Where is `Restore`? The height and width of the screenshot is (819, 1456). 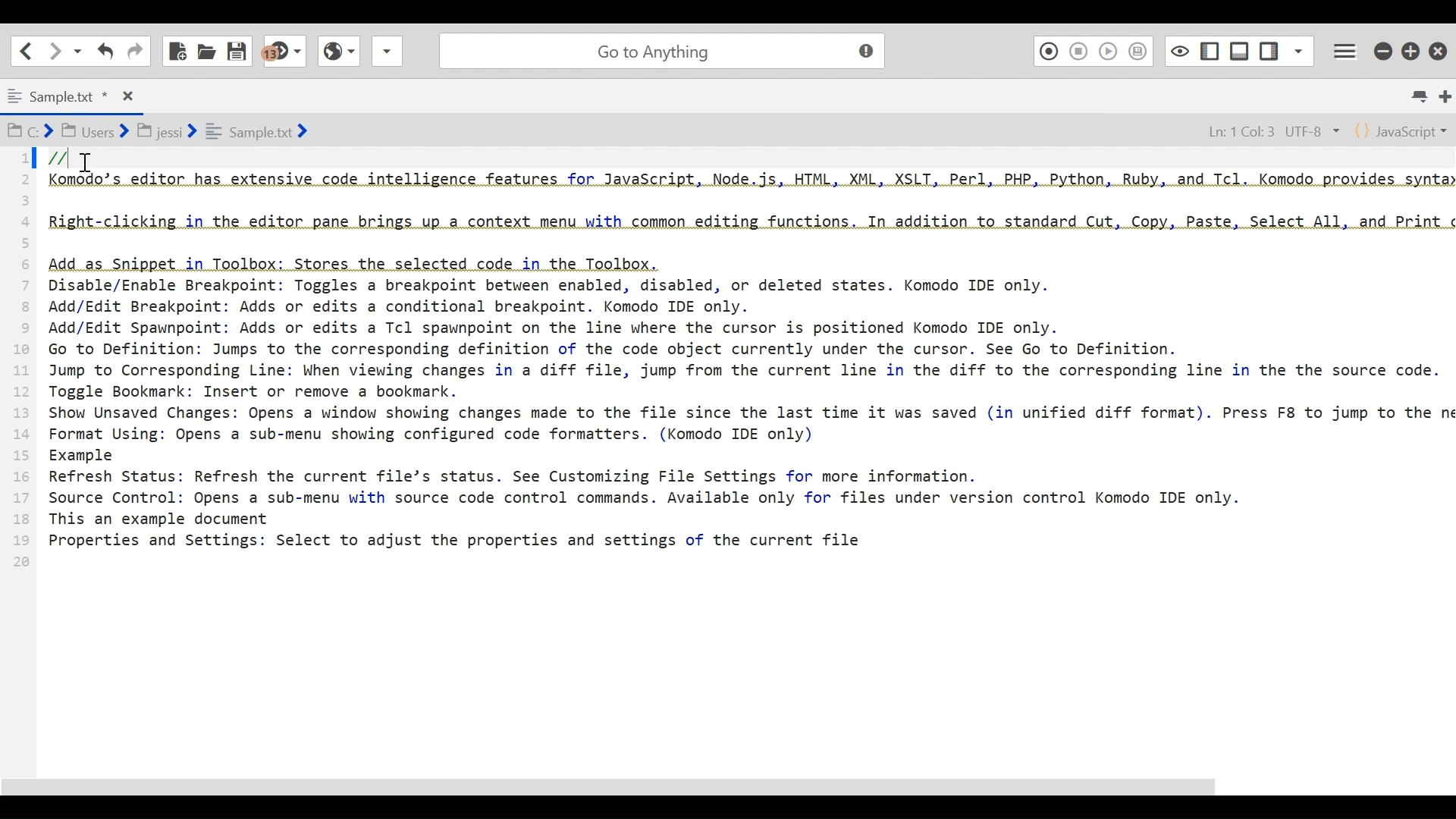
Restore is located at coordinates (1412, 49).